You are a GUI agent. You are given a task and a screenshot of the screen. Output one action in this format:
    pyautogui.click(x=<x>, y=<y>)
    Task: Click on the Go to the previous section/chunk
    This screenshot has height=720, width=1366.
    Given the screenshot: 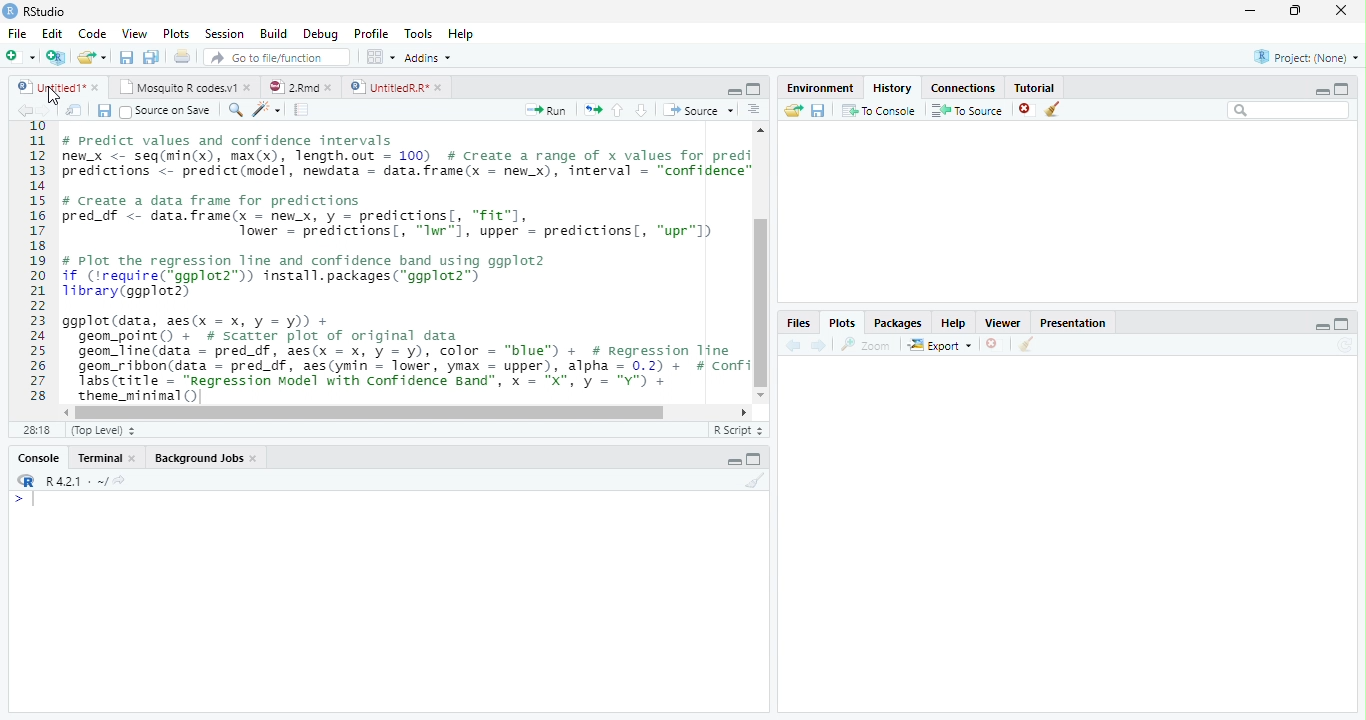 What is the action you would take?
    pyautogui.click(x=618, y=114)
    